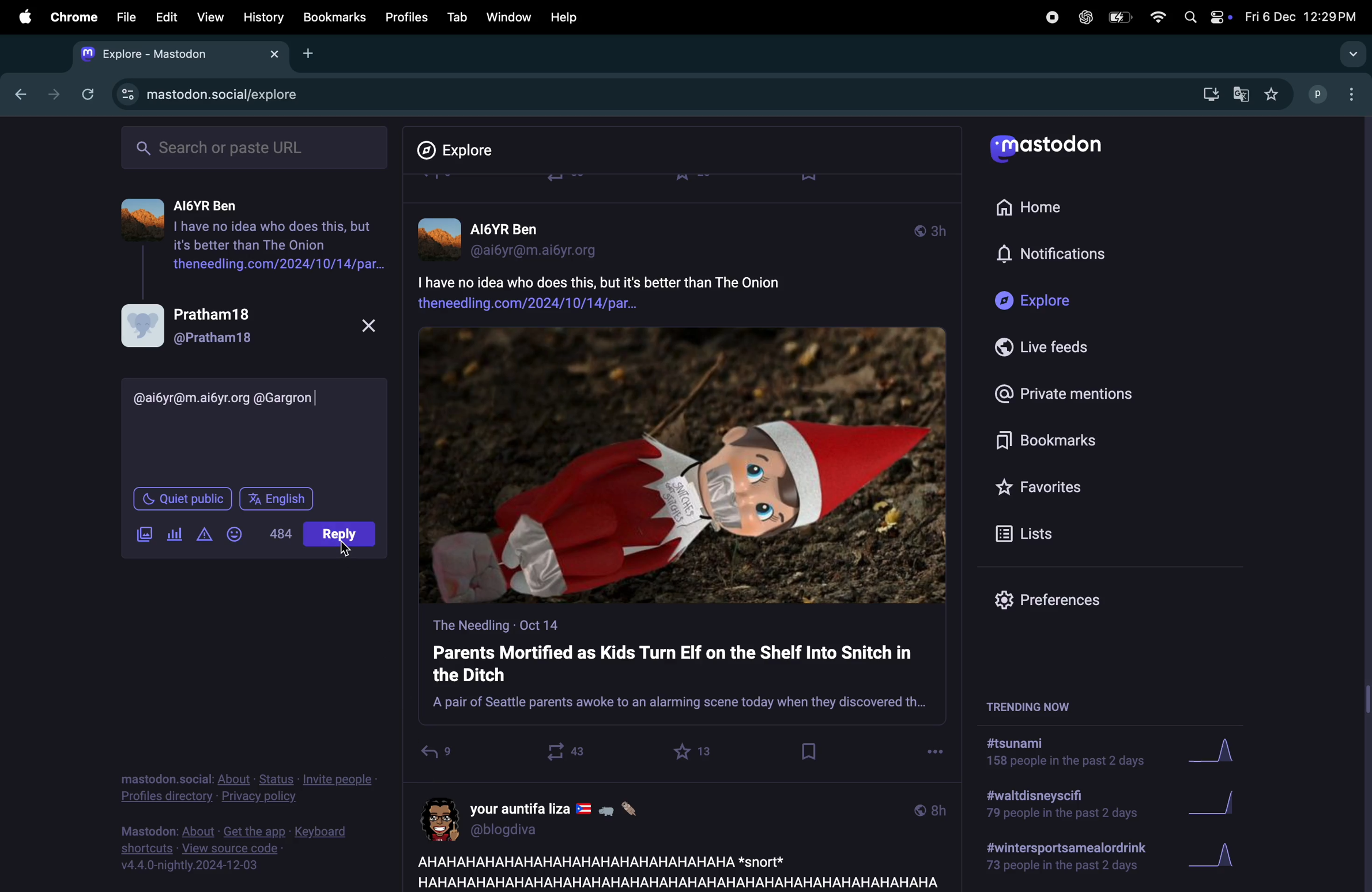 The height and width of the screenshot is (892, 1372). Describe the element at coordinates (310, 52) in the screenshot. I see `add tab` at that location.